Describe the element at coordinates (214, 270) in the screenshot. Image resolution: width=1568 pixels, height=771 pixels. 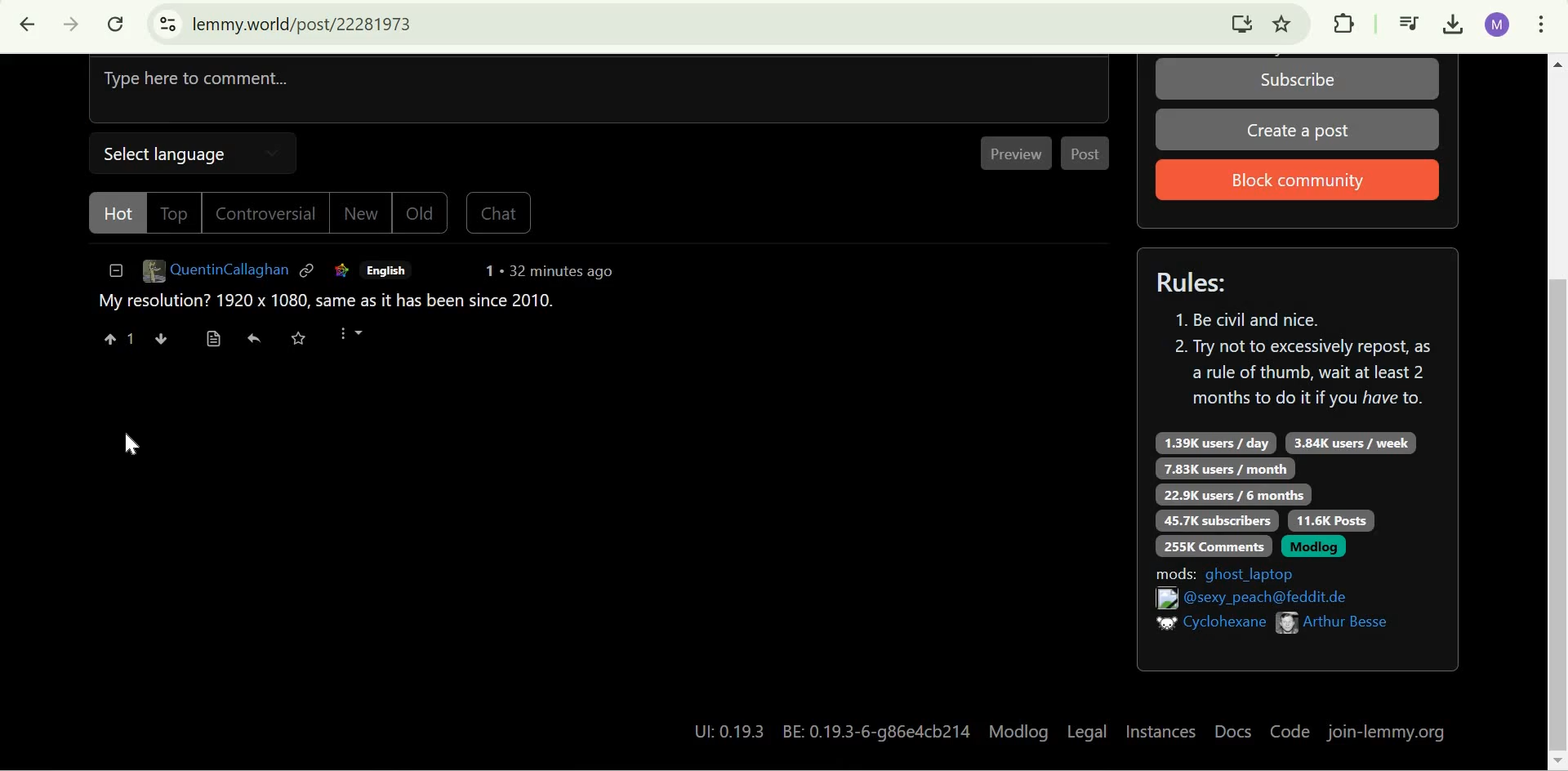
I see `QuentinCallaghan` at that location.